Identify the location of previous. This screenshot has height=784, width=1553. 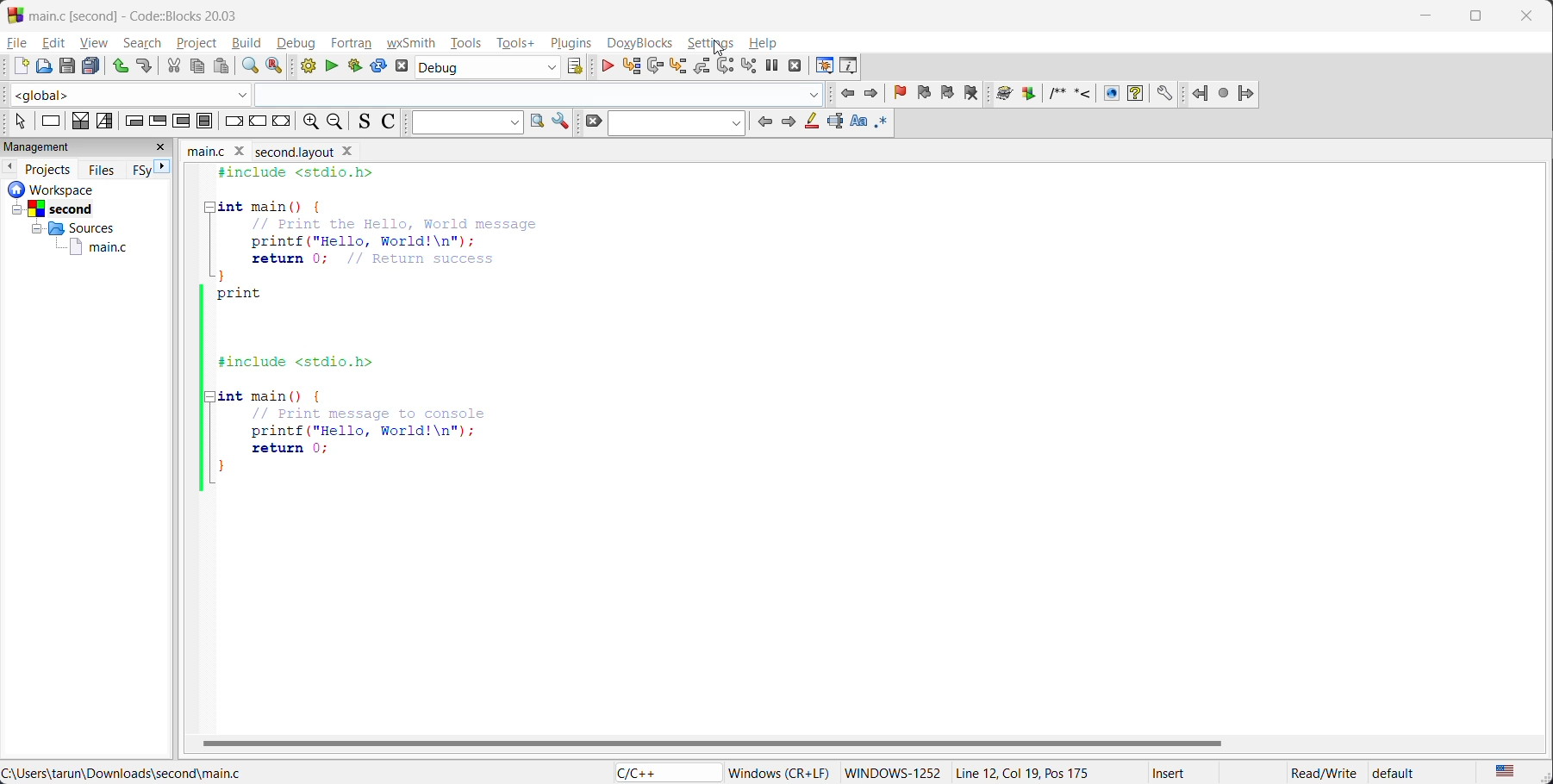
(761, 121).